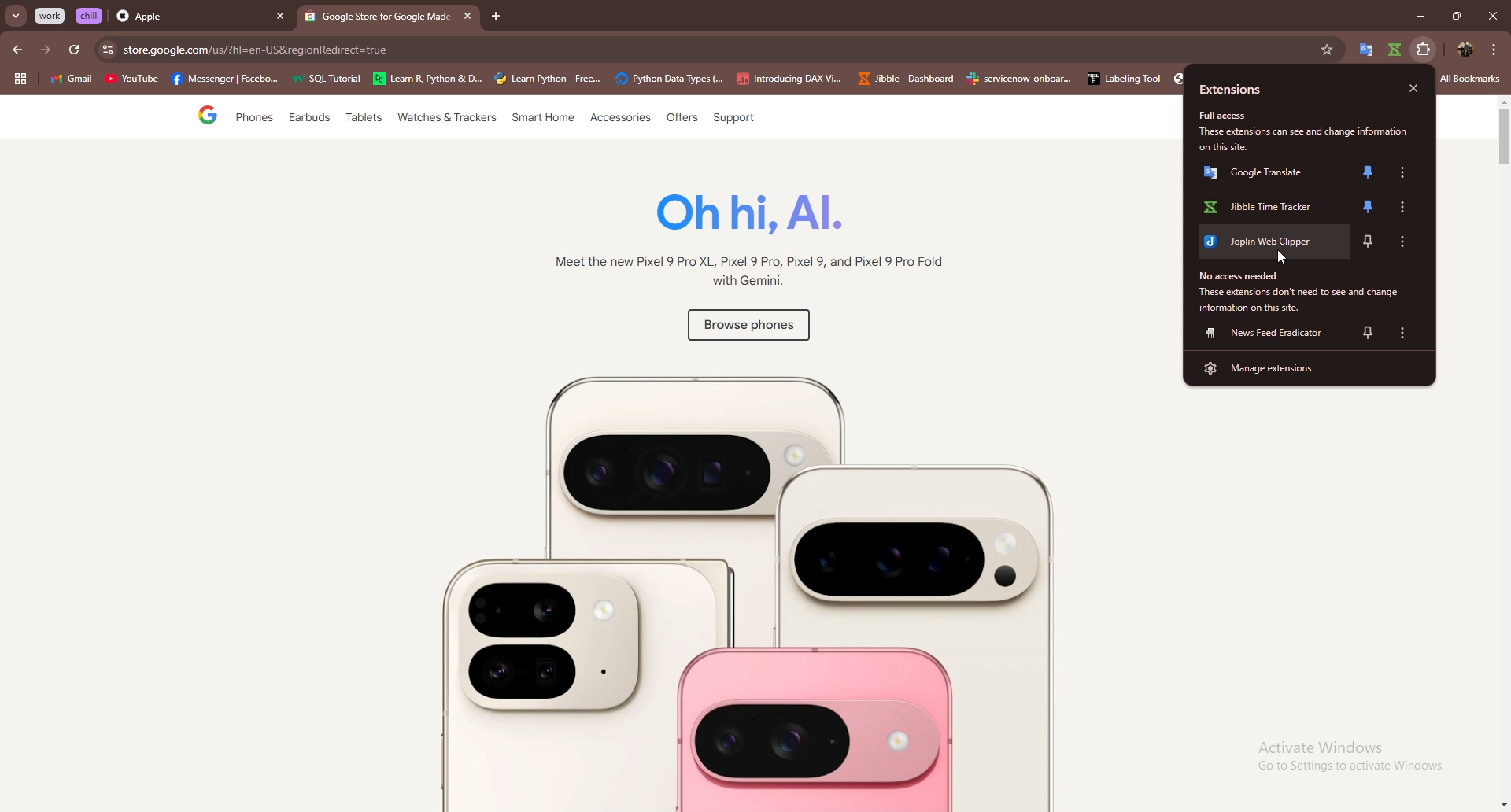 The width and height of the screenshot is (1511, 812). What do you see at coordinates (187, 17) in the screenshot?
I see `Apple` at bounding box center [187, 17].